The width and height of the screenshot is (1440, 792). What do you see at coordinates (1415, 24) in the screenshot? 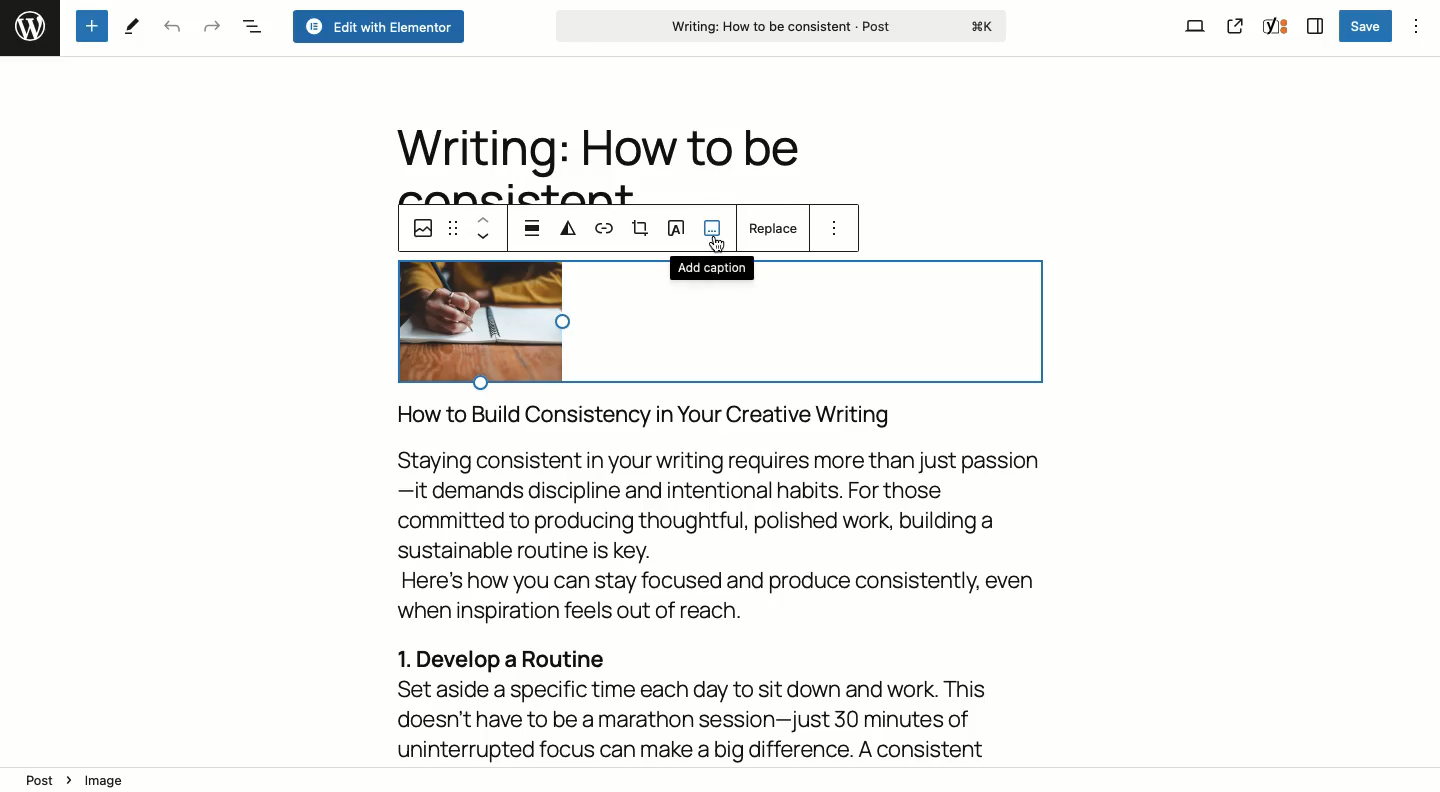
I see `Options` at bounding box center [1415, 24].